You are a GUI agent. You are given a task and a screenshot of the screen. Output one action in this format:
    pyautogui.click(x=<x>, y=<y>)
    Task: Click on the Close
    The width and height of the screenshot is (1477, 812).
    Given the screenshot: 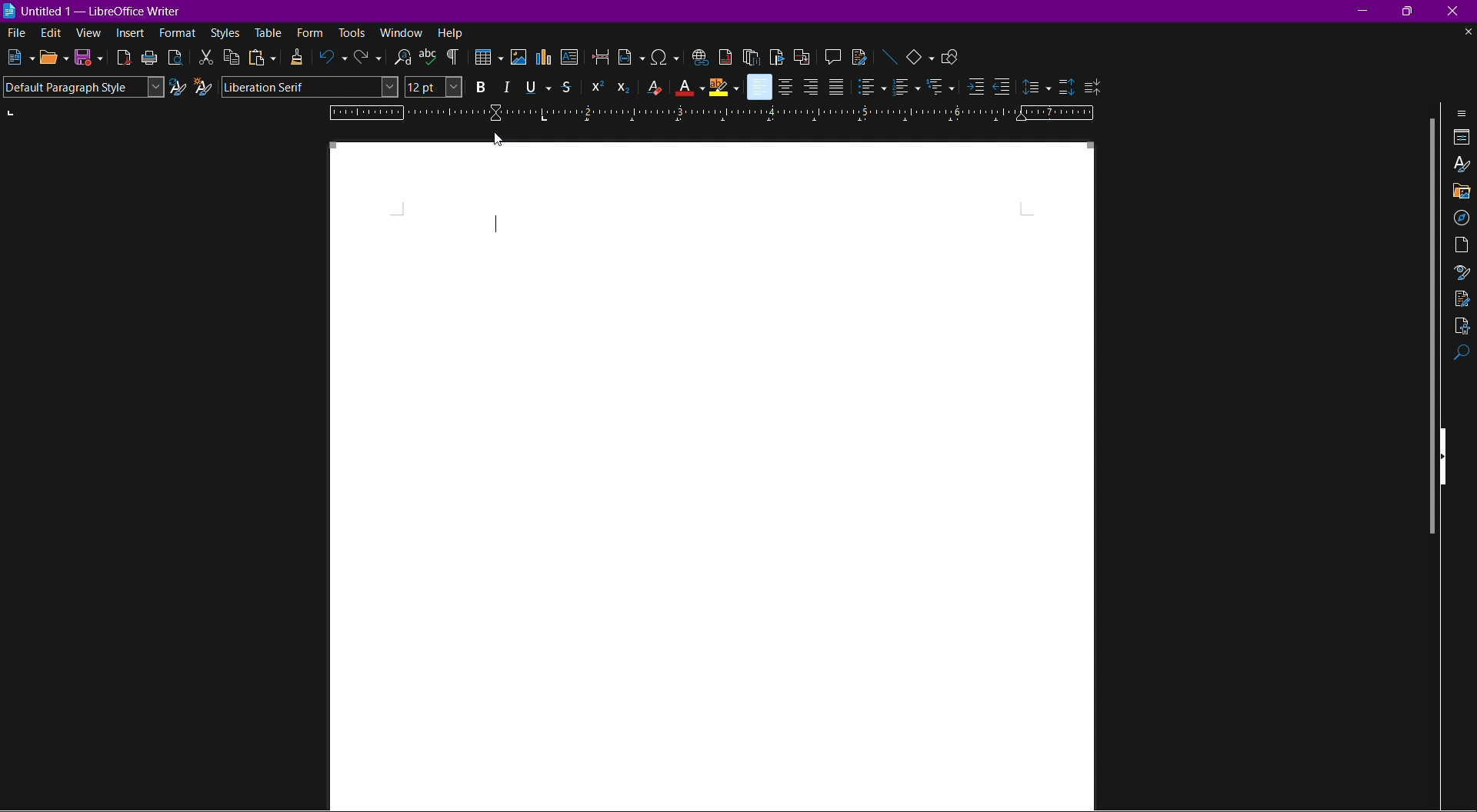 What is the action you would take?
    pyautogui.click(x=1459, y=11)
    